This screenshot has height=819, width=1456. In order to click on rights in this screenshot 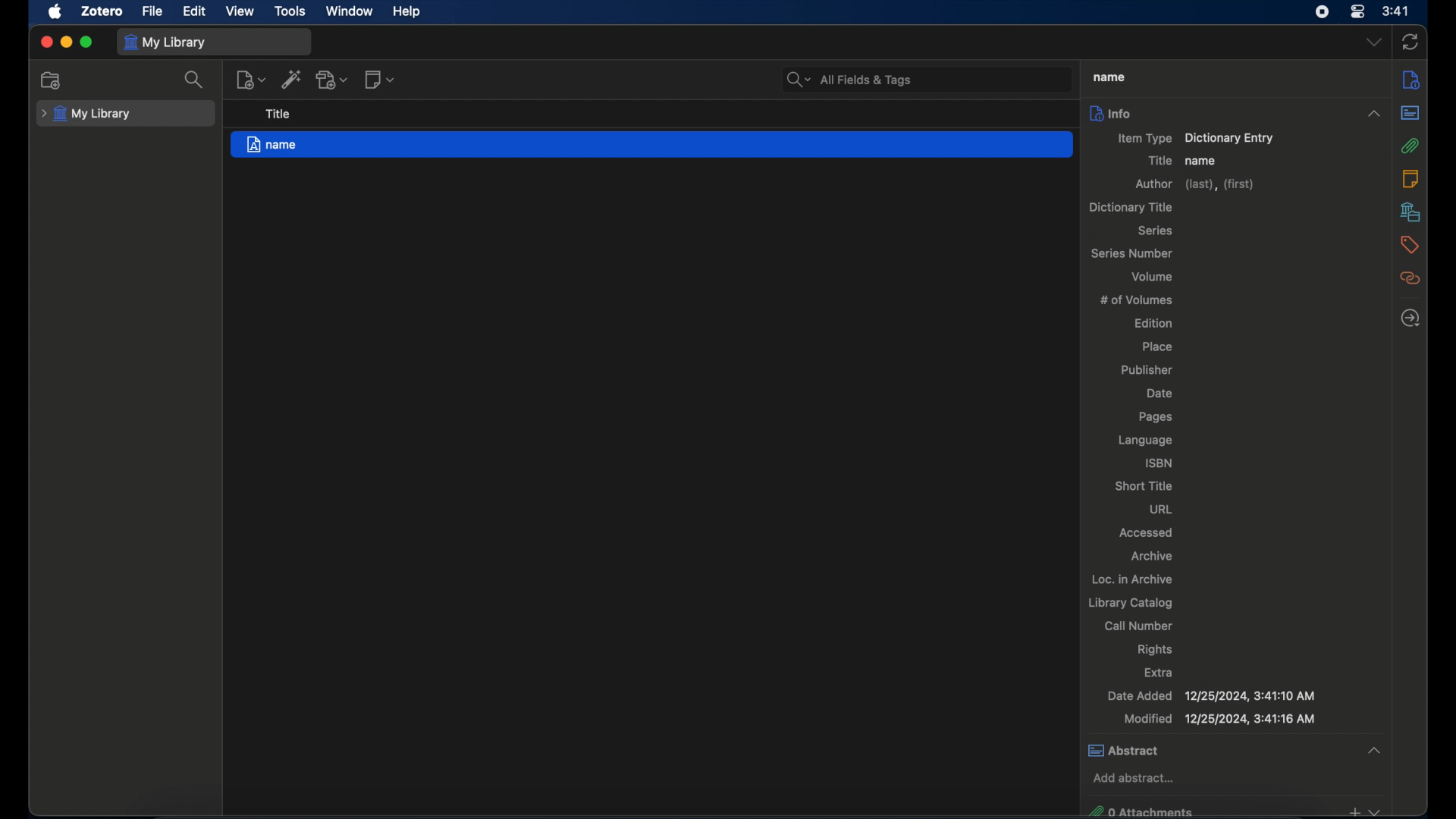, I will do `click(1155, 650)`.